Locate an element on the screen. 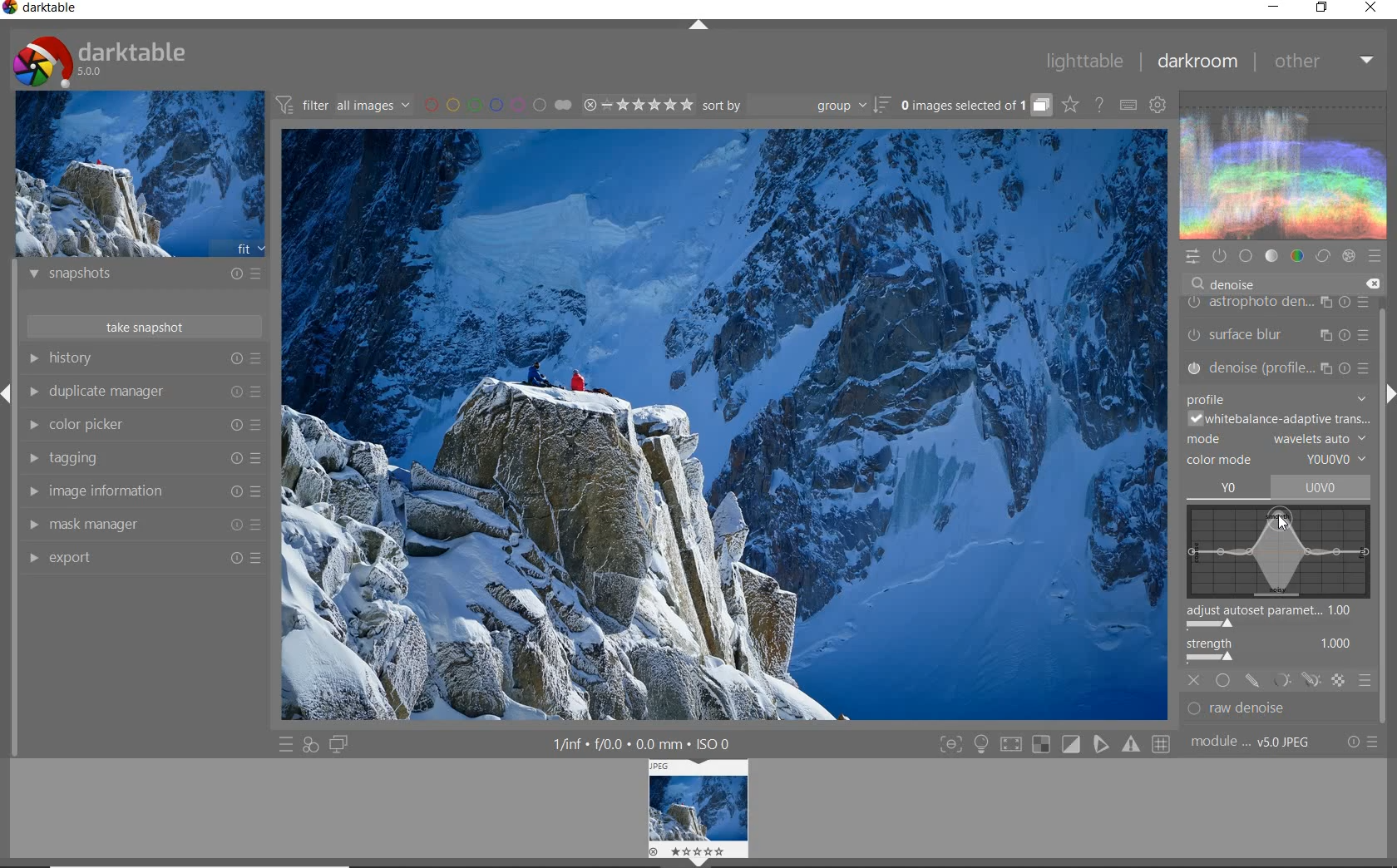 The height and width of the screenshot is (868, 1397). Darktable 5.0.0 is located at coordinates (100, 62).